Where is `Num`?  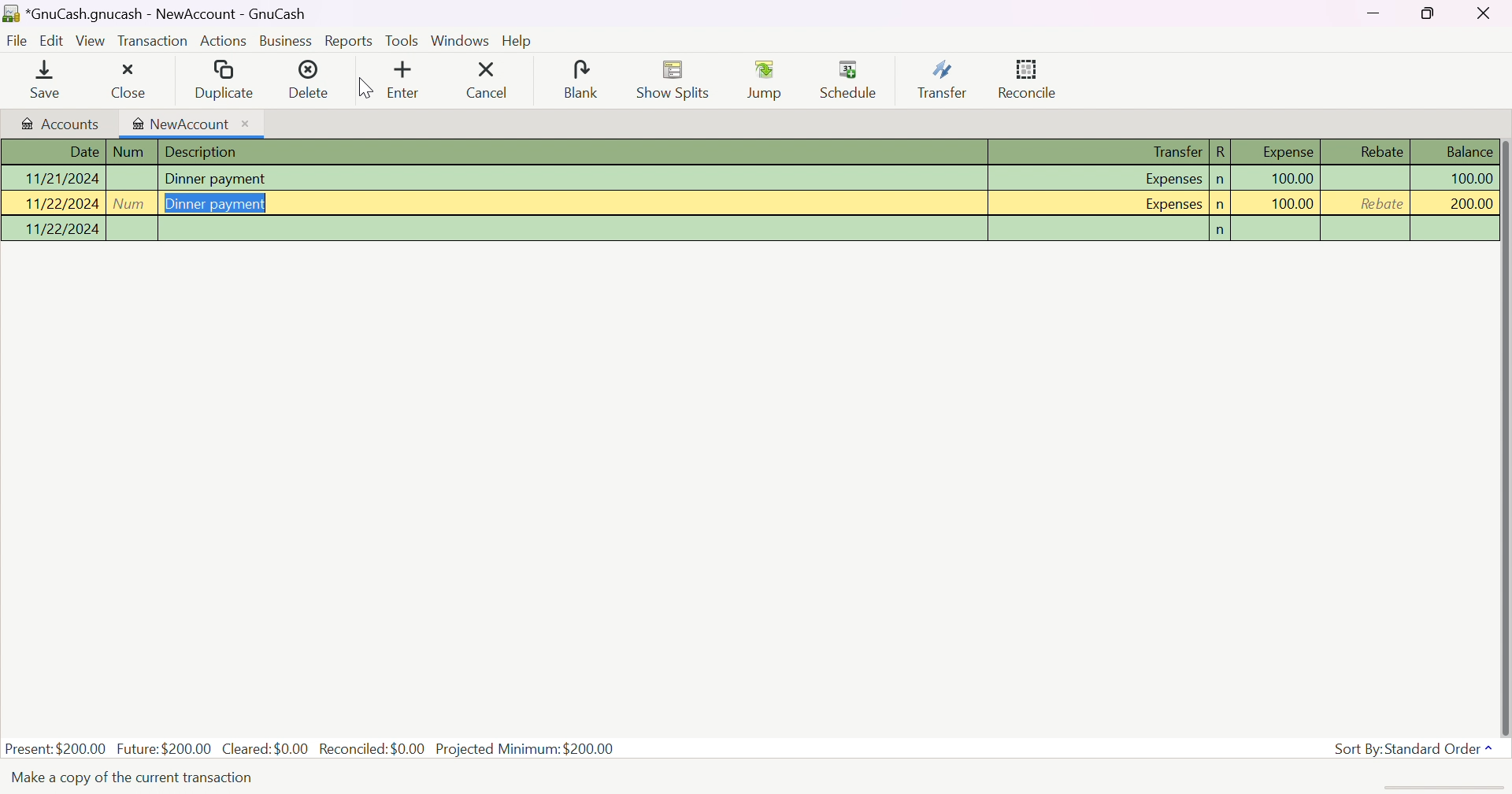
Num is located at coordinates (129, 151).